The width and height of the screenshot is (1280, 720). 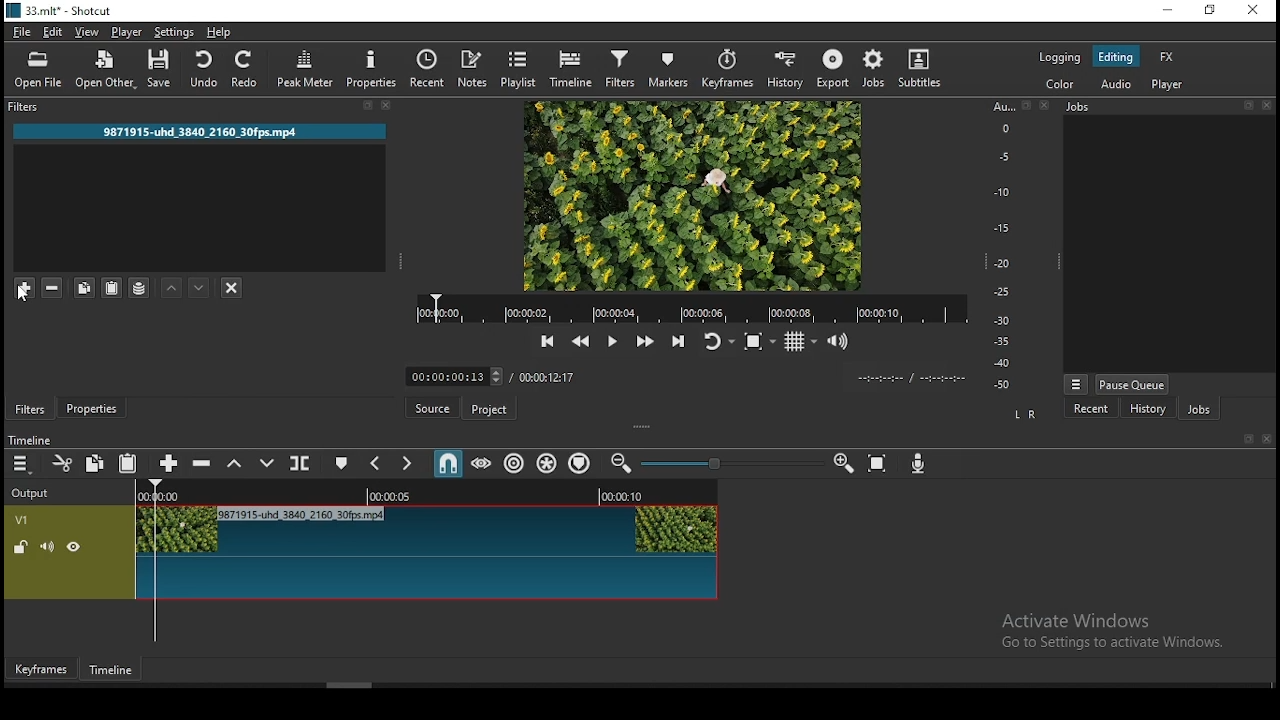 I want to click on settings, so click(x=174, y=30).